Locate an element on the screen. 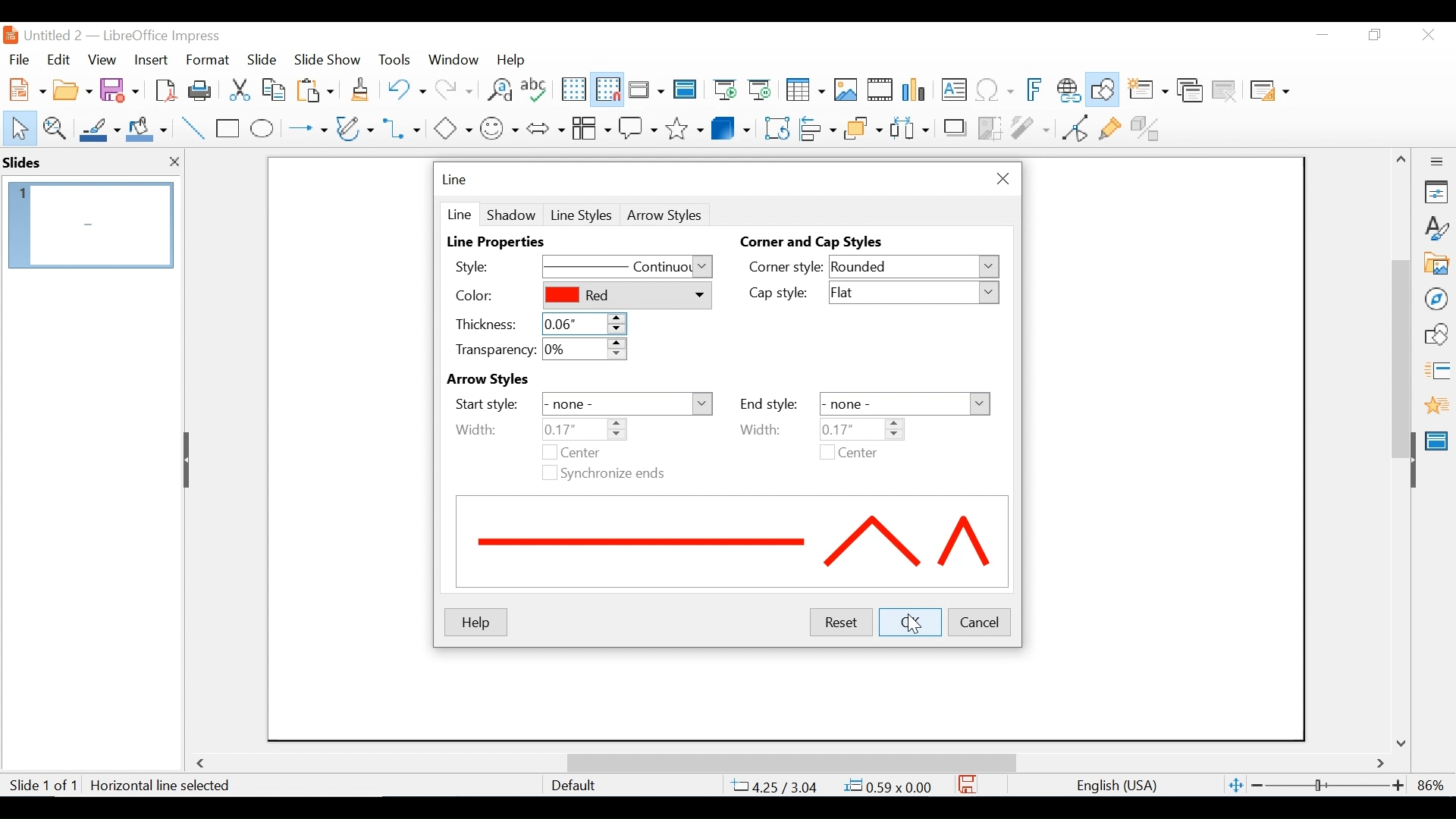 The width and height of the screenshot is (1456, 819). Fit Slide to current window is located at coordinates (1236, 786).